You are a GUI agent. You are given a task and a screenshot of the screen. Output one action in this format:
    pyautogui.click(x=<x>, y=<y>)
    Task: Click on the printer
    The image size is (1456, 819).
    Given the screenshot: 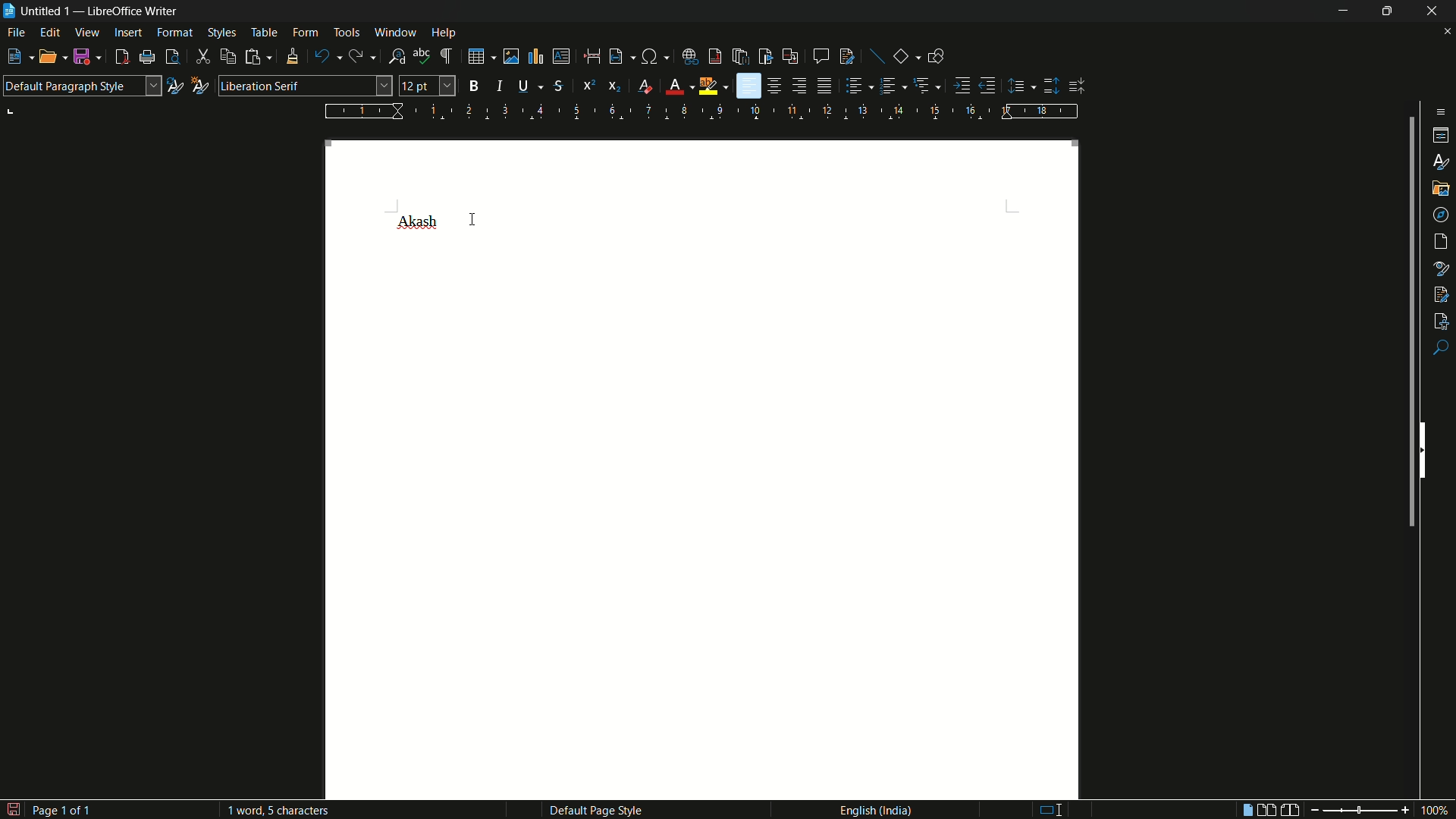 What is the action you would take?
    pyautogui.click(x=148, y=58)
    